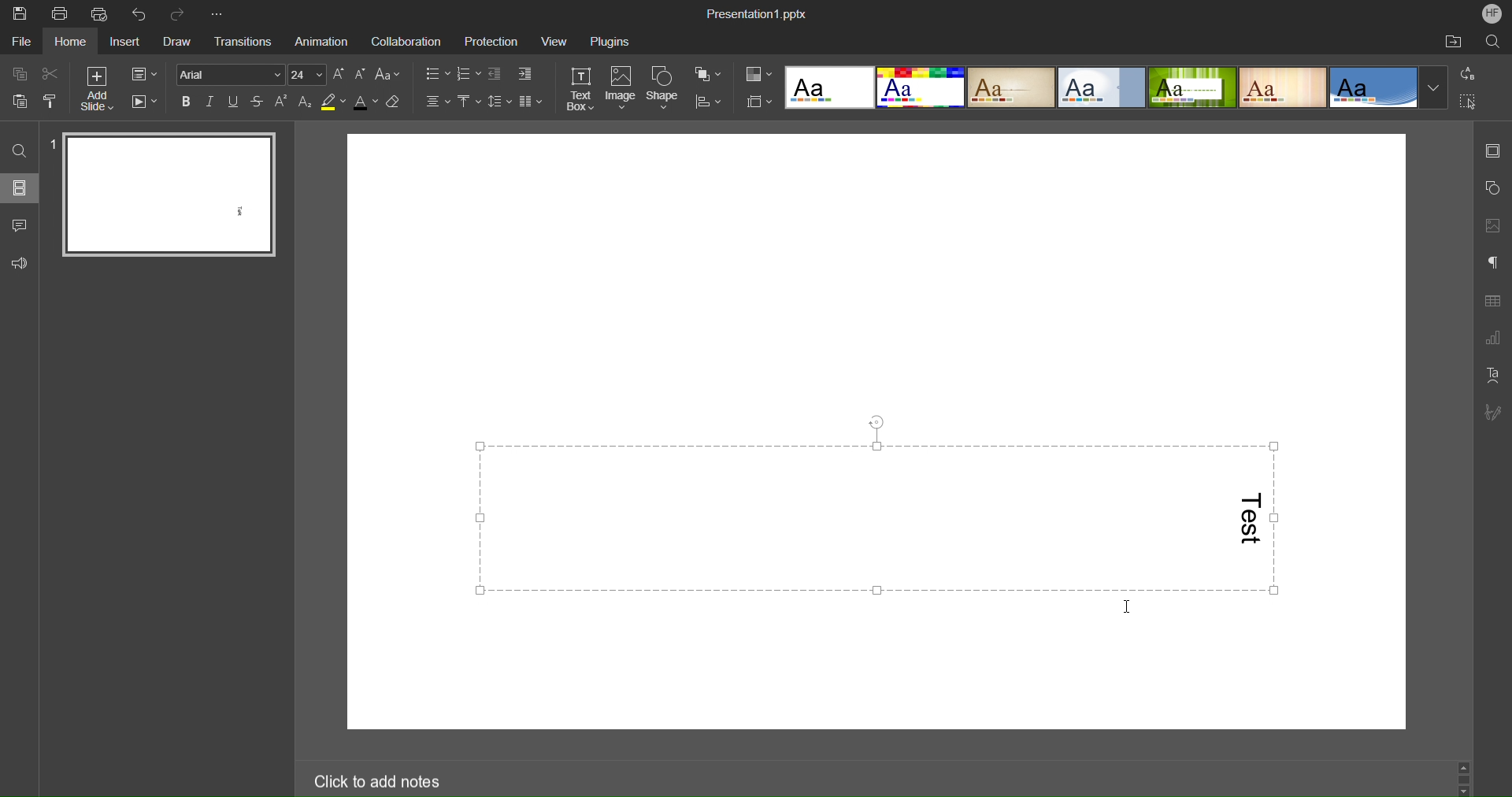 Image resolution: width=1512 pixels, height=797 pixels. I want to click on Decrease indent, so click(495, 74).